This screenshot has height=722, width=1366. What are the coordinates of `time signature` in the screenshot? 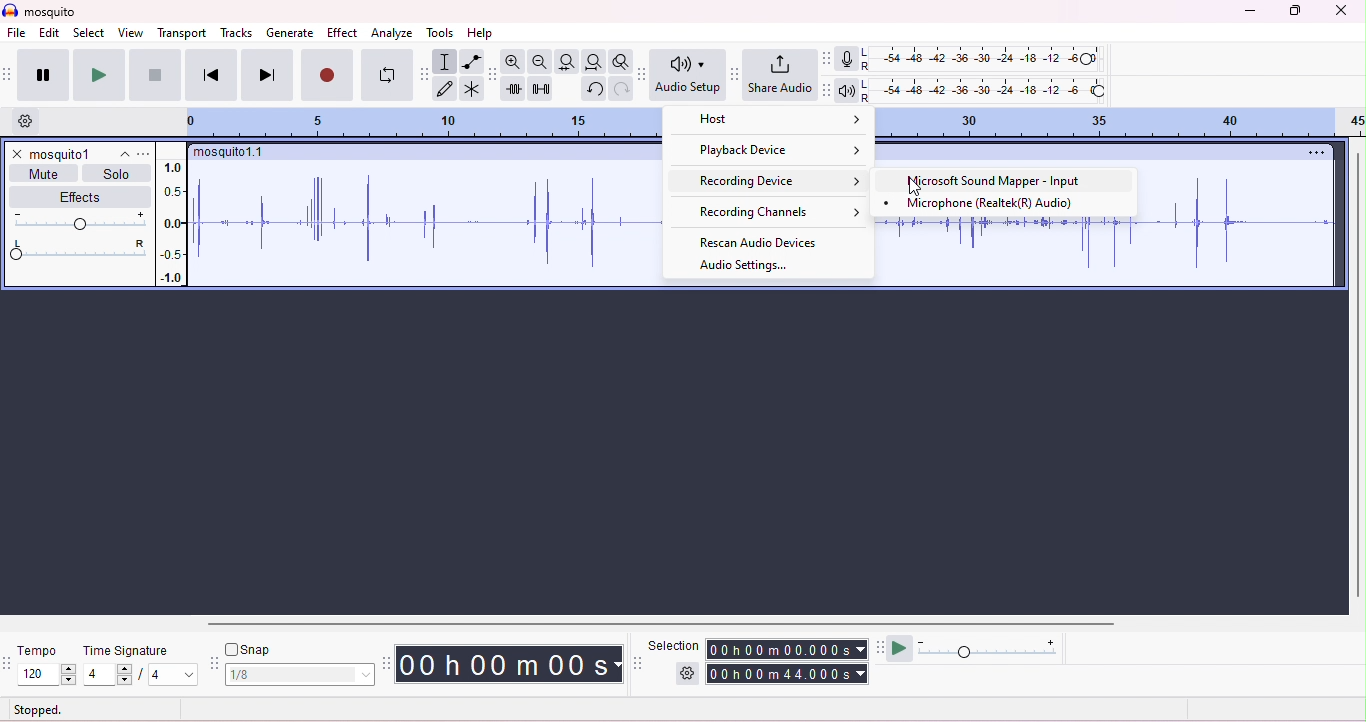 It's located at (126, 651).